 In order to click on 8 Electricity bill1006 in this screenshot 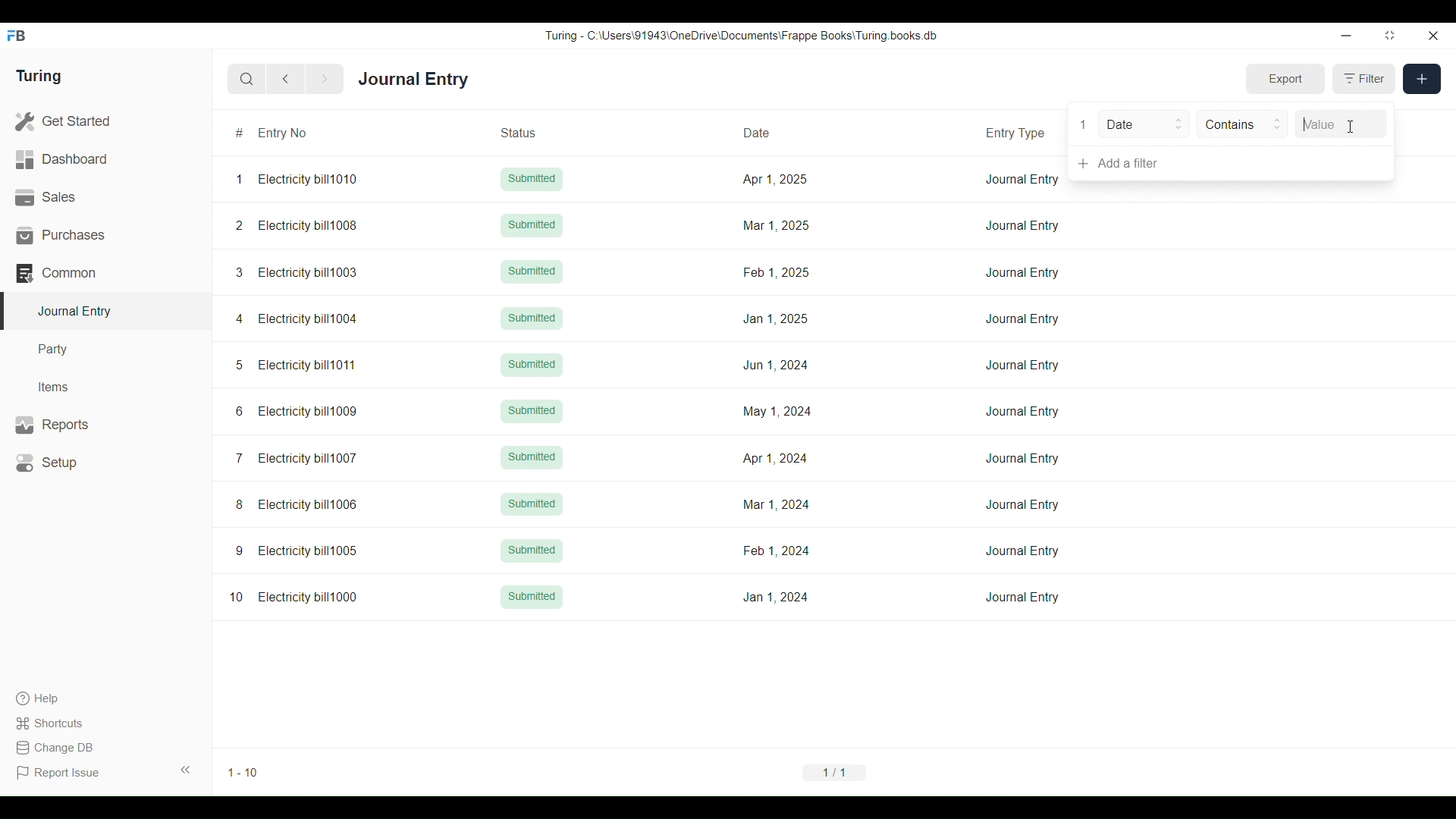, I will do `click(297, 504)`.